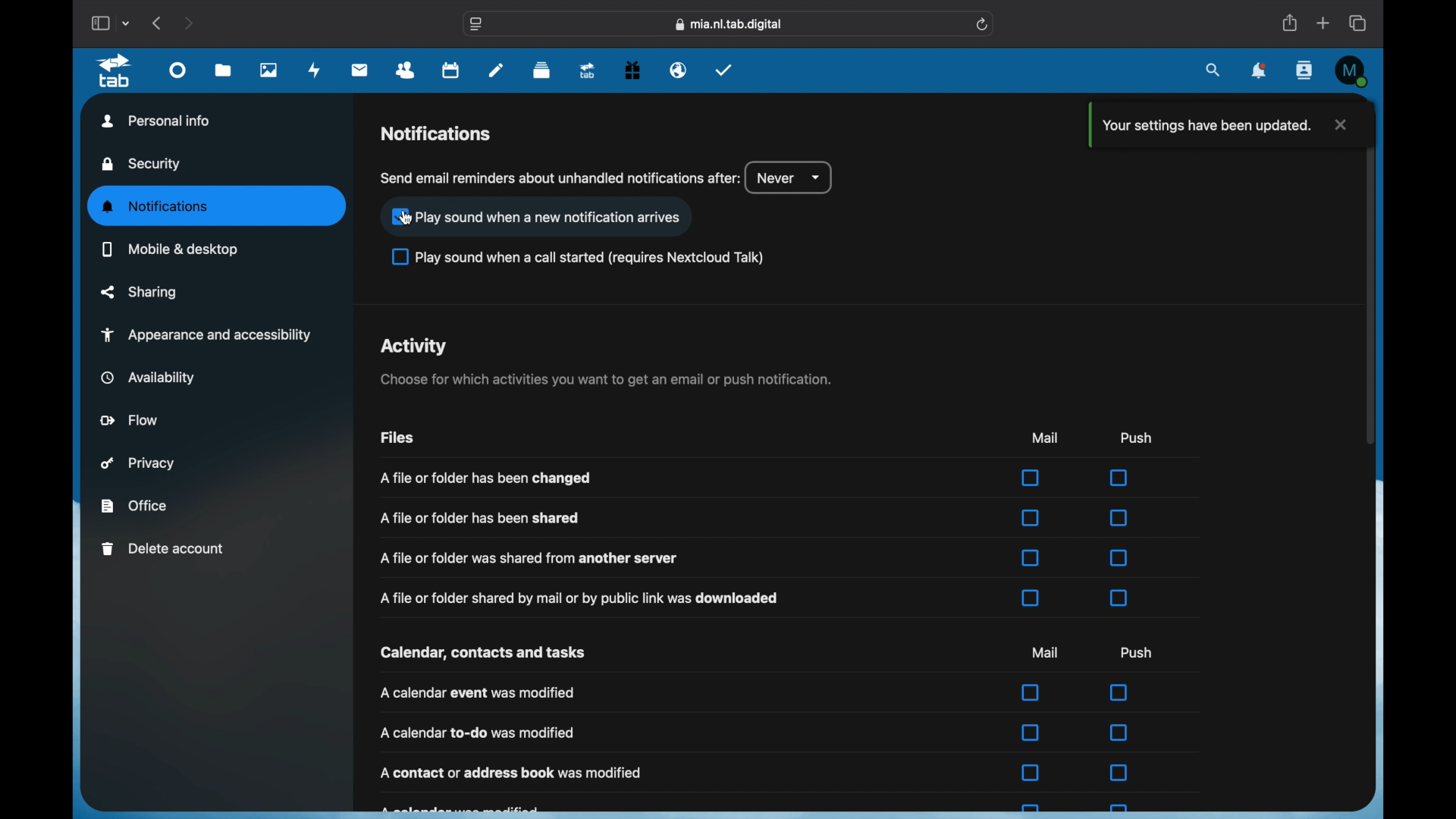  What do you see at coordinates (1046, 652) in the screenshot?
I see `mail` at bounding box center [1046, 652].